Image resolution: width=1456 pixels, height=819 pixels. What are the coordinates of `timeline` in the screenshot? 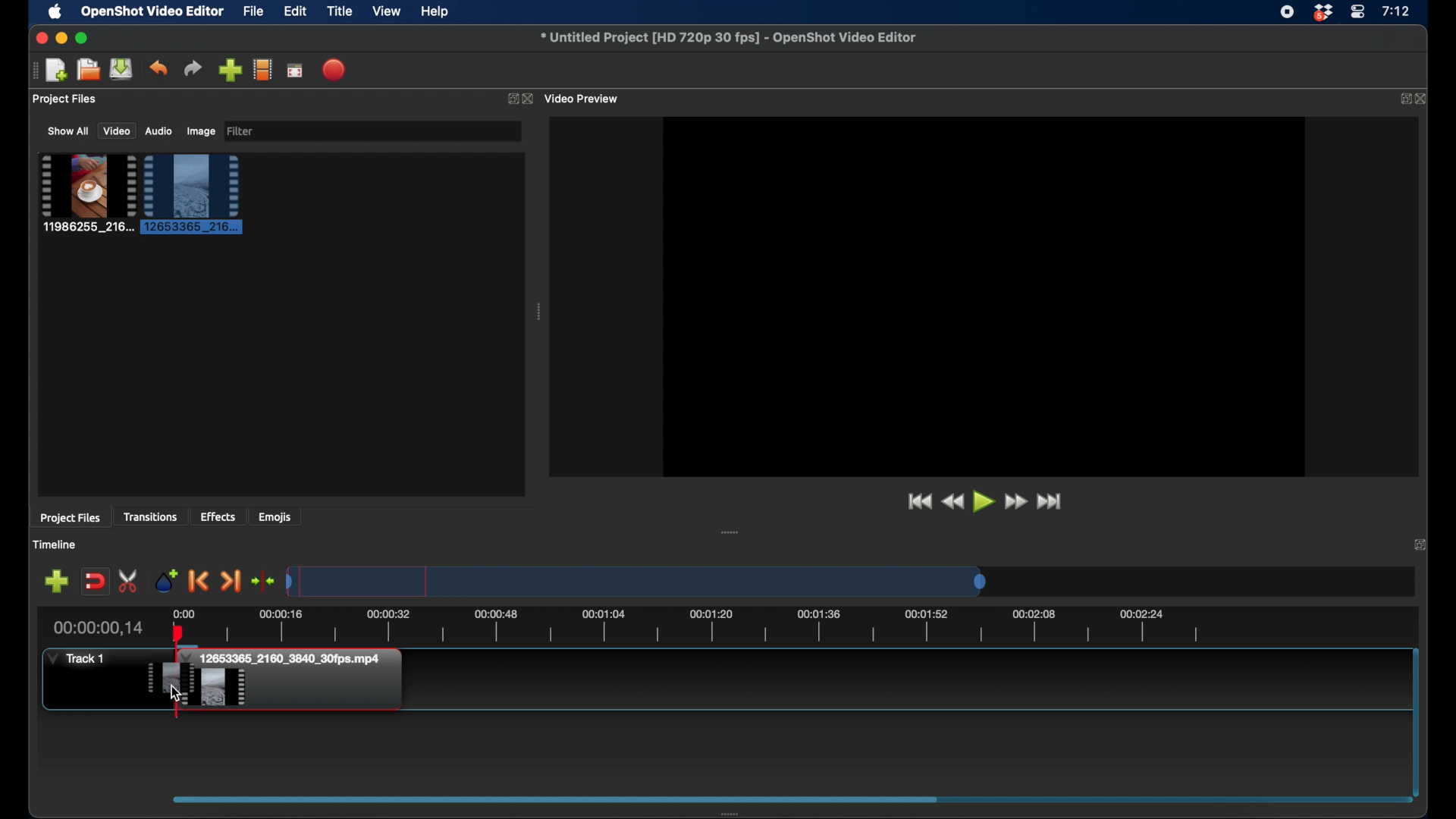 It's located at (54, 544).